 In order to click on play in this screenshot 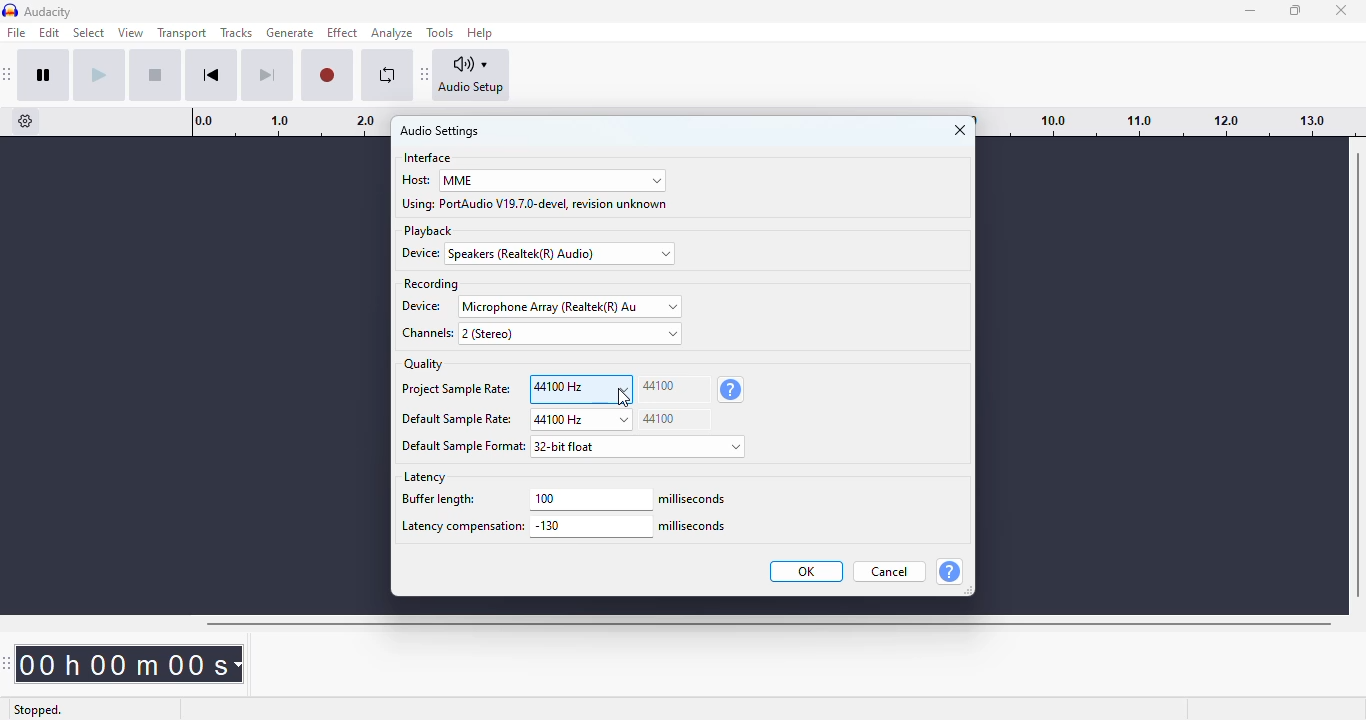, I will do `click(99, 75)`.